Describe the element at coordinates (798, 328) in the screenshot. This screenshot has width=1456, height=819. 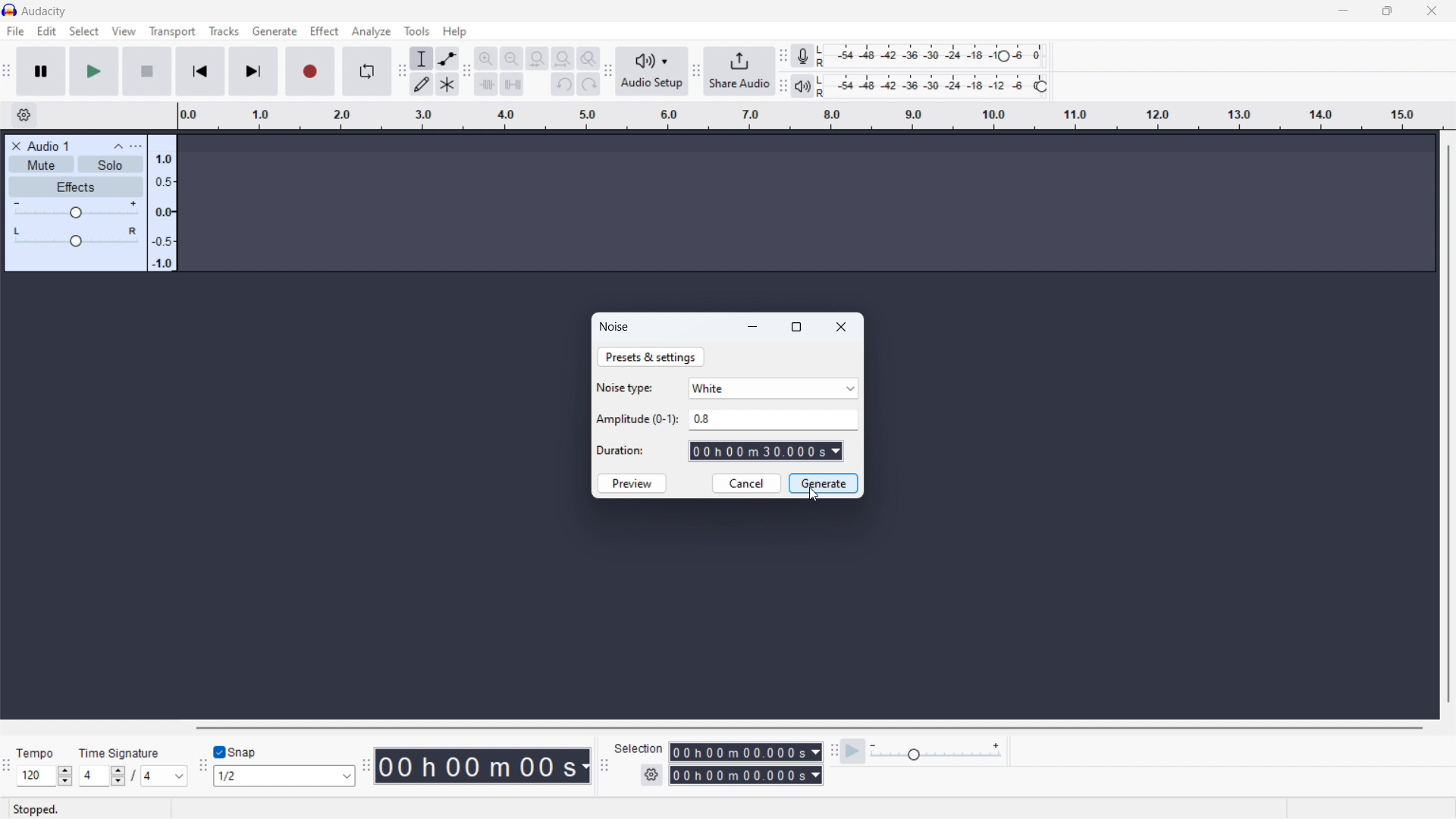
I see `maximize` at that location.